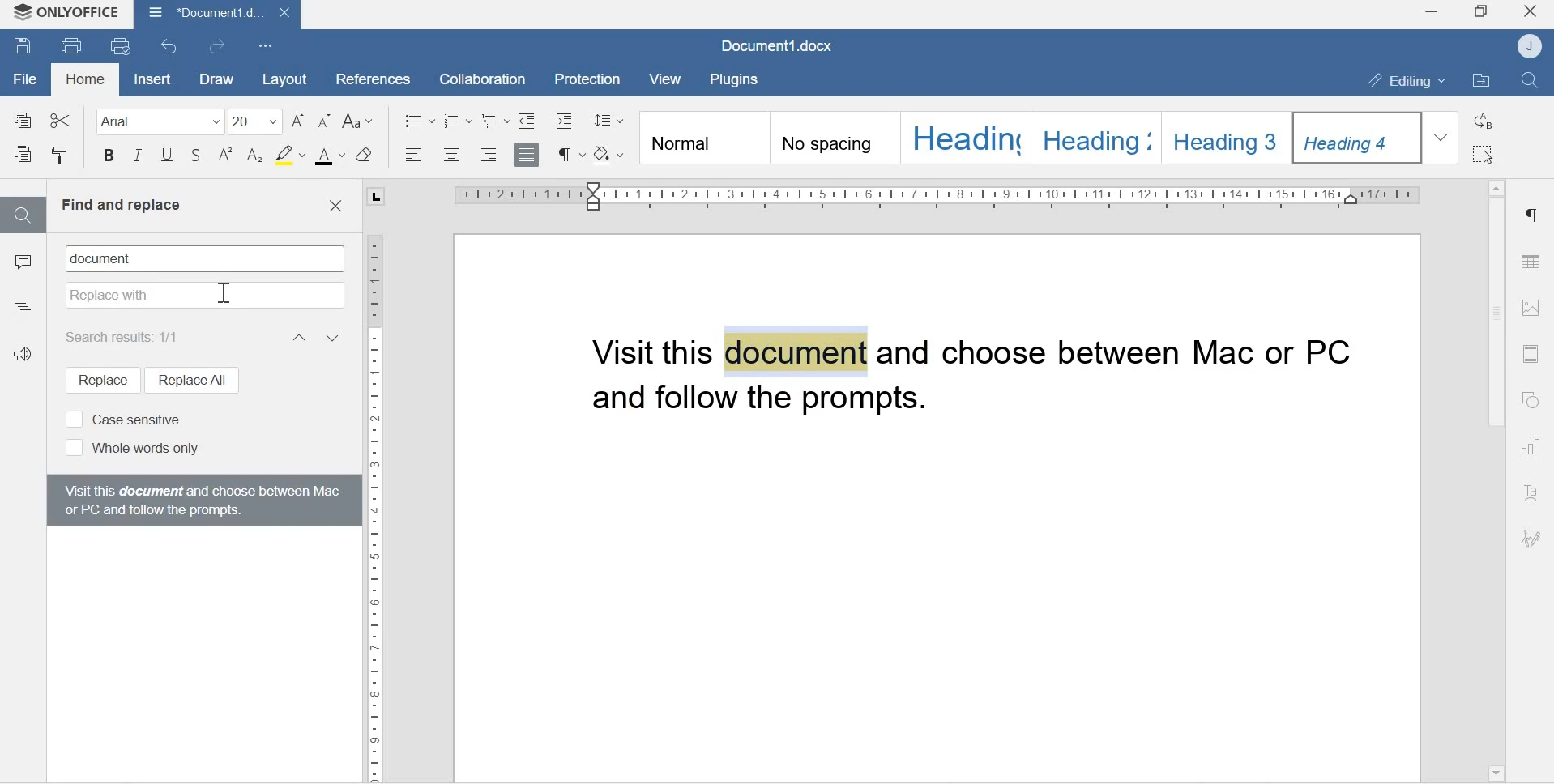  I want to click on Scrollbar, so click(1494, 314).